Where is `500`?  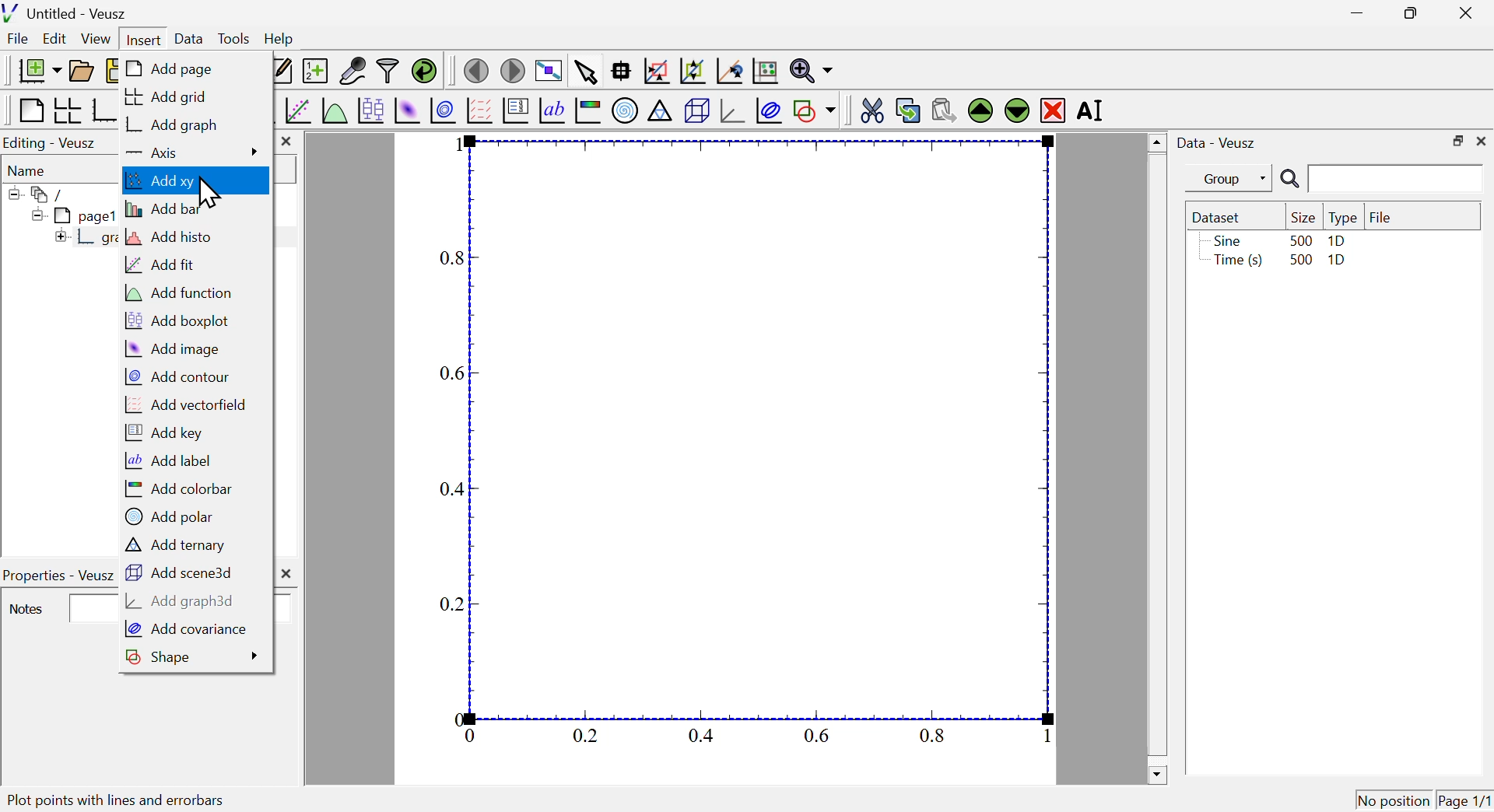 500 is located at coordinates (1299, 261).